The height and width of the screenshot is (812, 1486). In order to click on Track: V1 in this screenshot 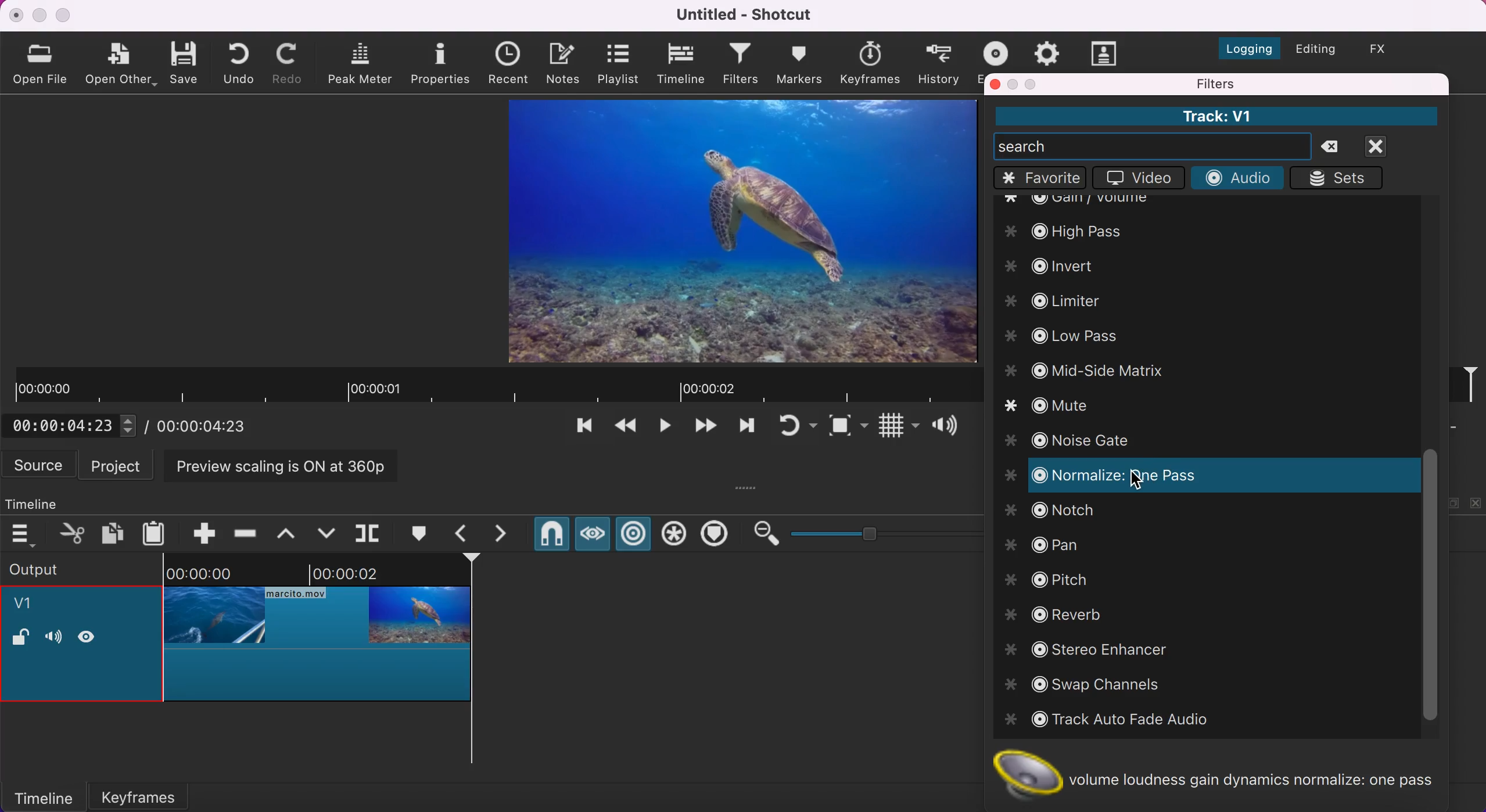, I will do `click(1215, 116)`.